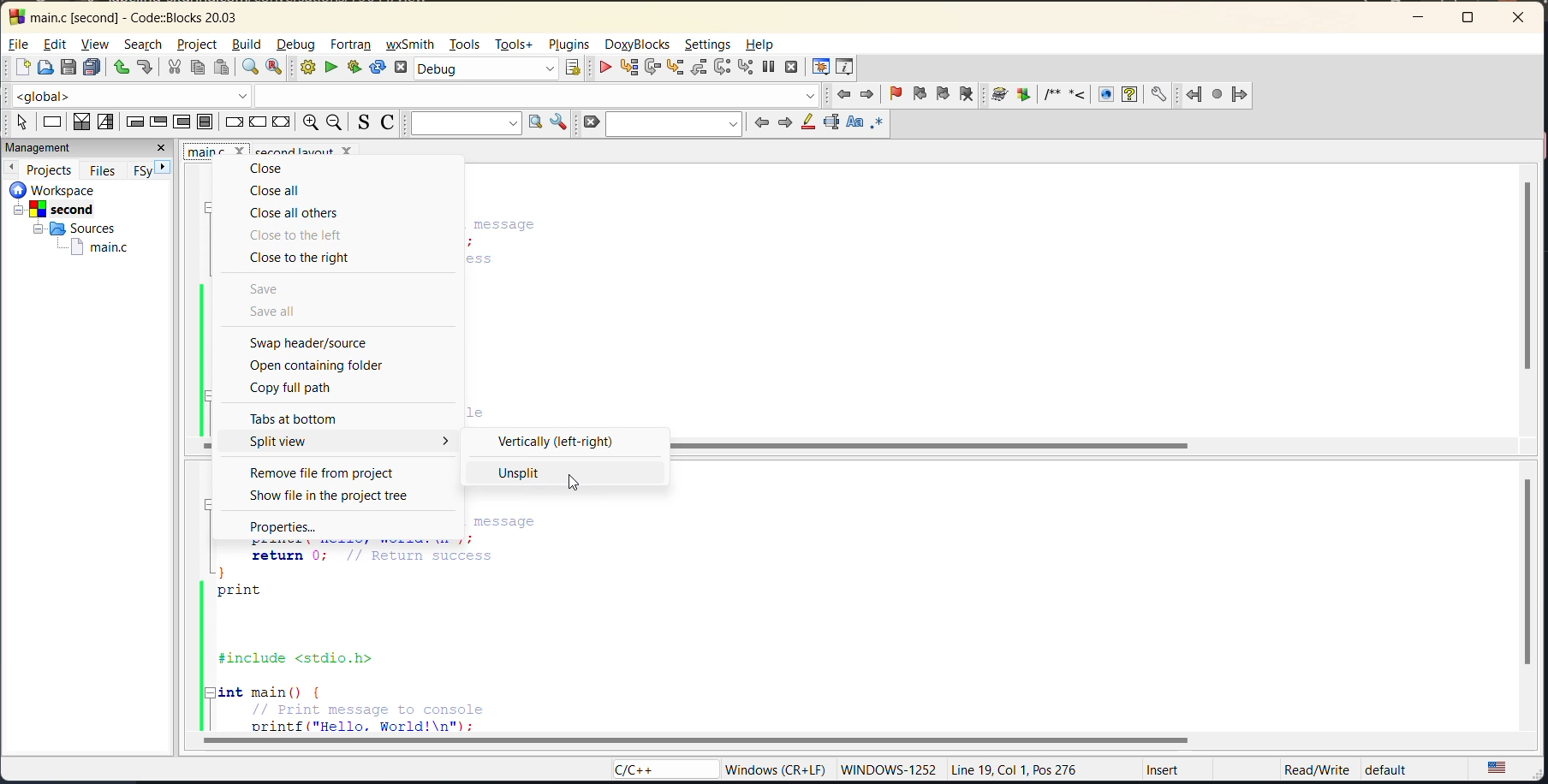 The width and height of the screenshot is (1548, 784). I want to click on help, so click(760, 43).